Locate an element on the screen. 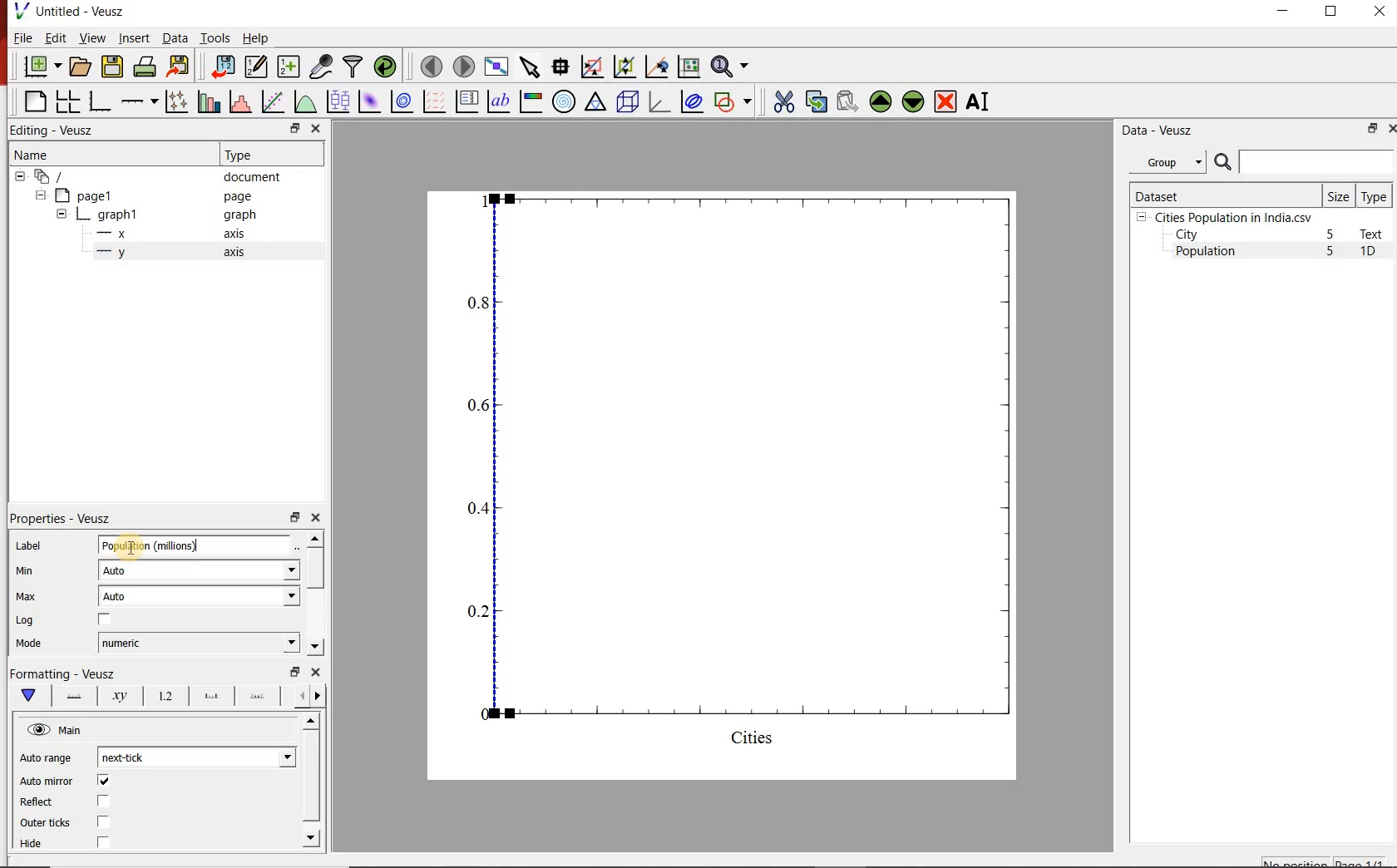 This screenshot has width=1397, height=868. click to recenter graph axes is located at coordinates (655, 67).